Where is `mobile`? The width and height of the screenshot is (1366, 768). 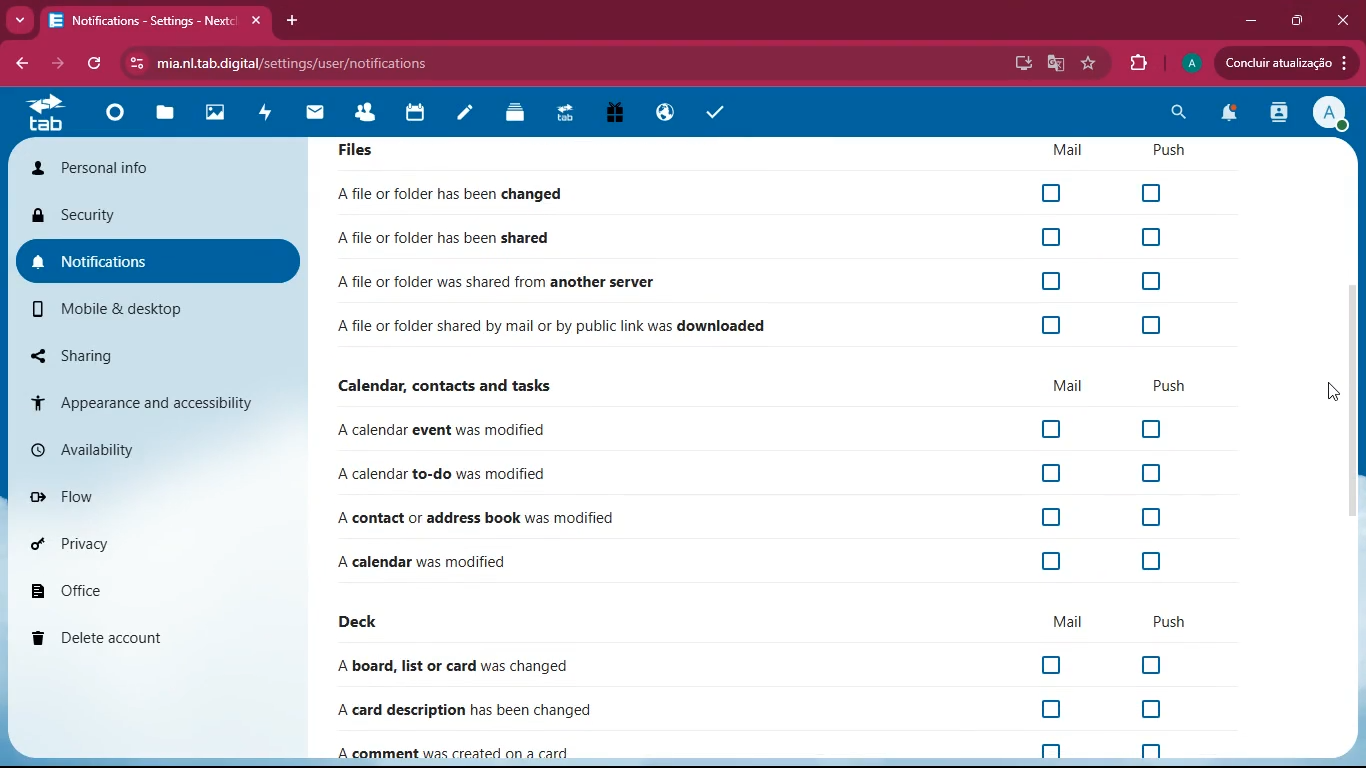 mobile is located at coordinates (142, 310).